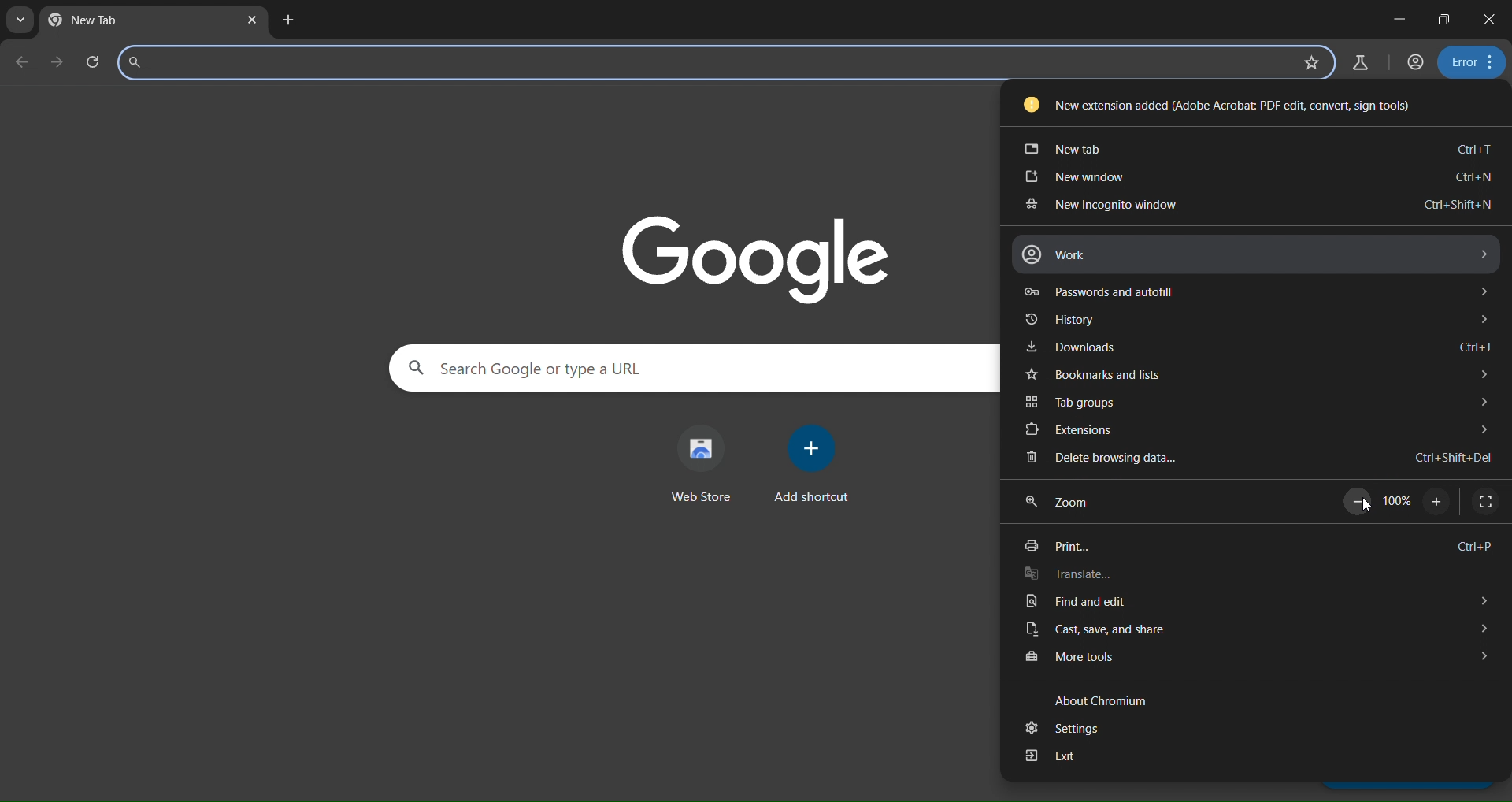 The height and width of the screenshot is (802, 1512). What do you see at coordinates (1257, 460) in the screenshot?
I see `delete browsing data` at bounding box center [1257, 460].